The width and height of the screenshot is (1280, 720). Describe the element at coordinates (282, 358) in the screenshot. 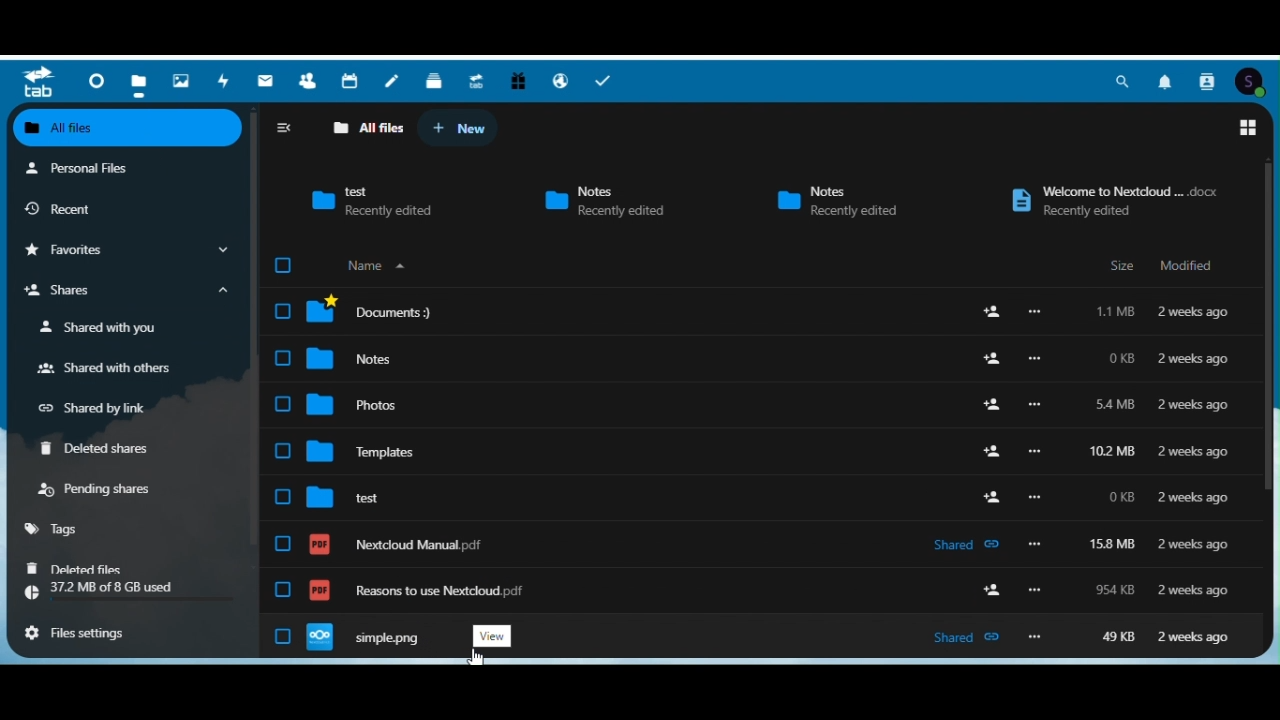

I see `checkbox` at that location.